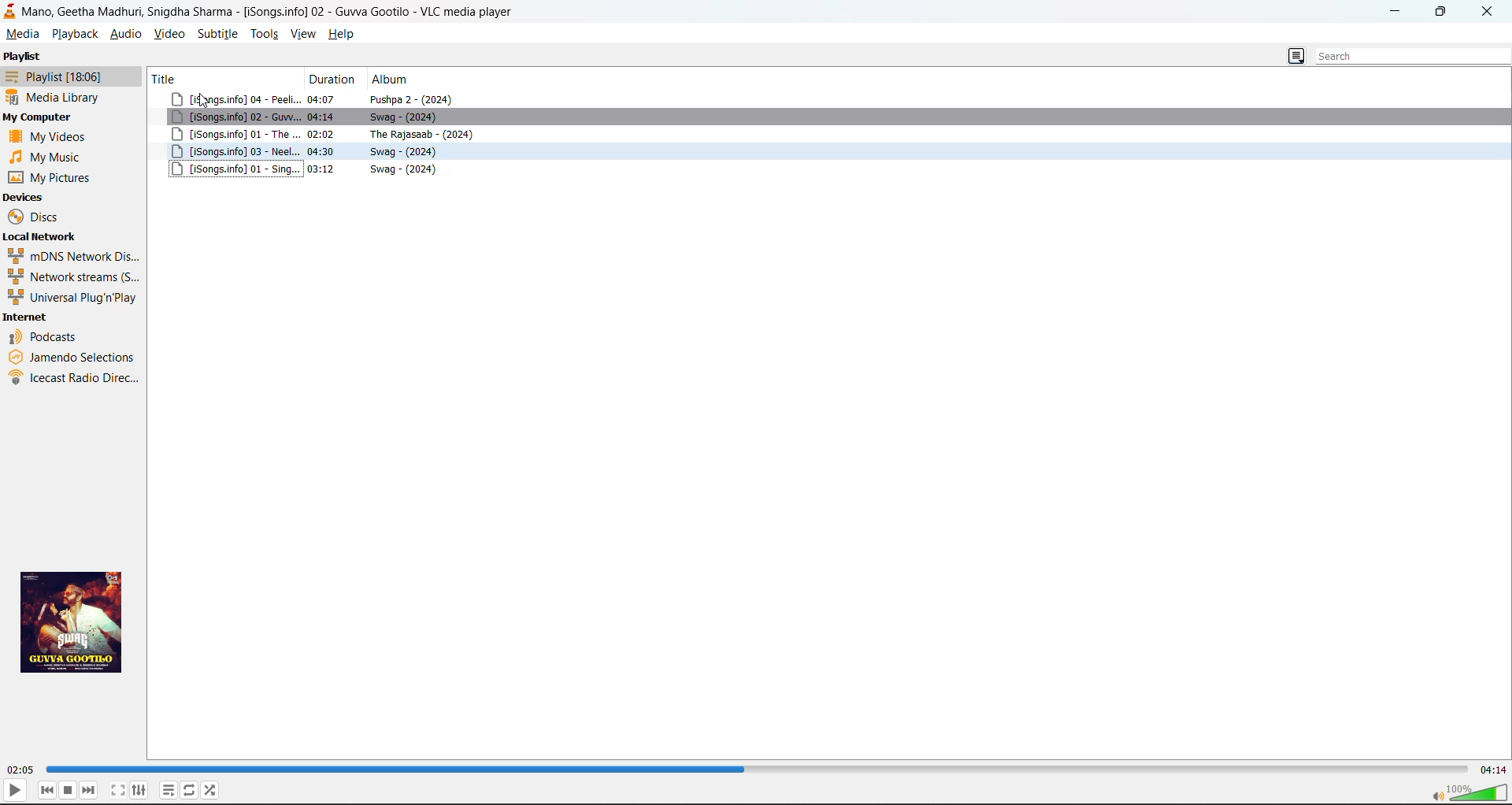 The image size is (1512, 805). I want to click on podcasts, so click(46, 336).